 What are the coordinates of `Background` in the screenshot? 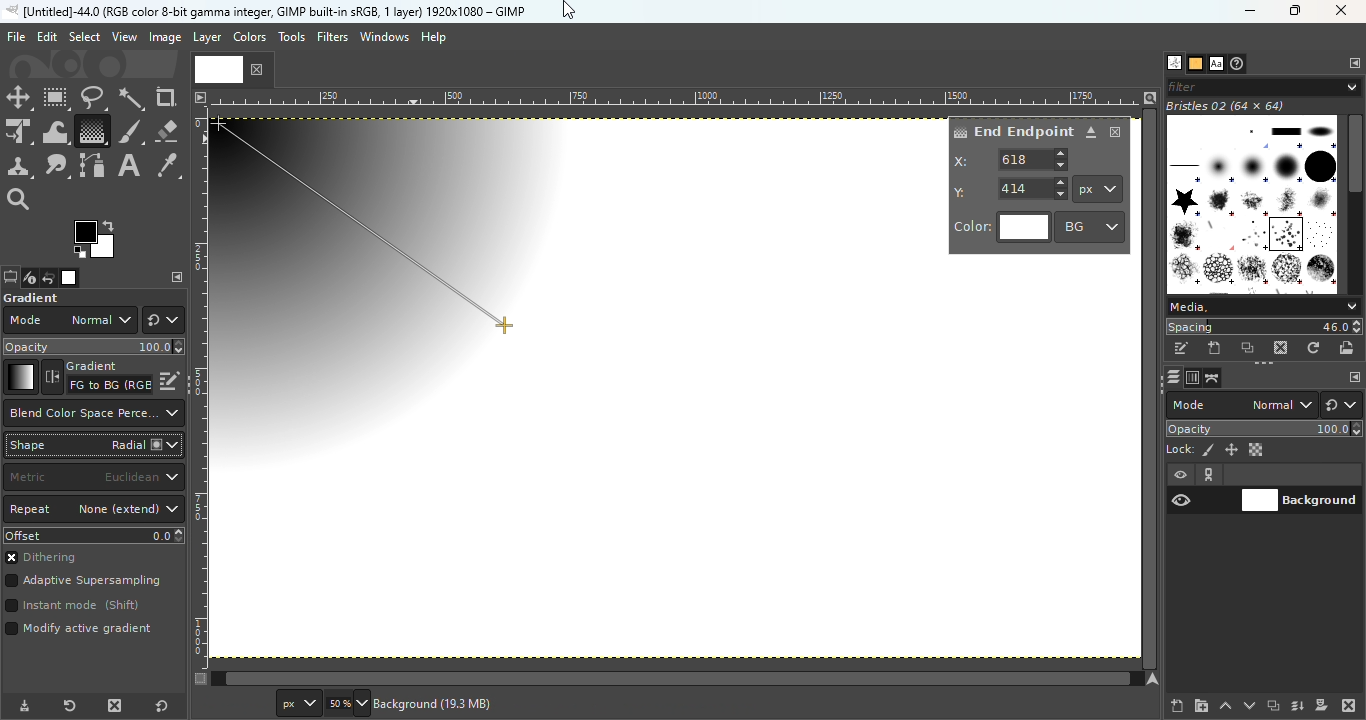 It's located at (1300, 498).